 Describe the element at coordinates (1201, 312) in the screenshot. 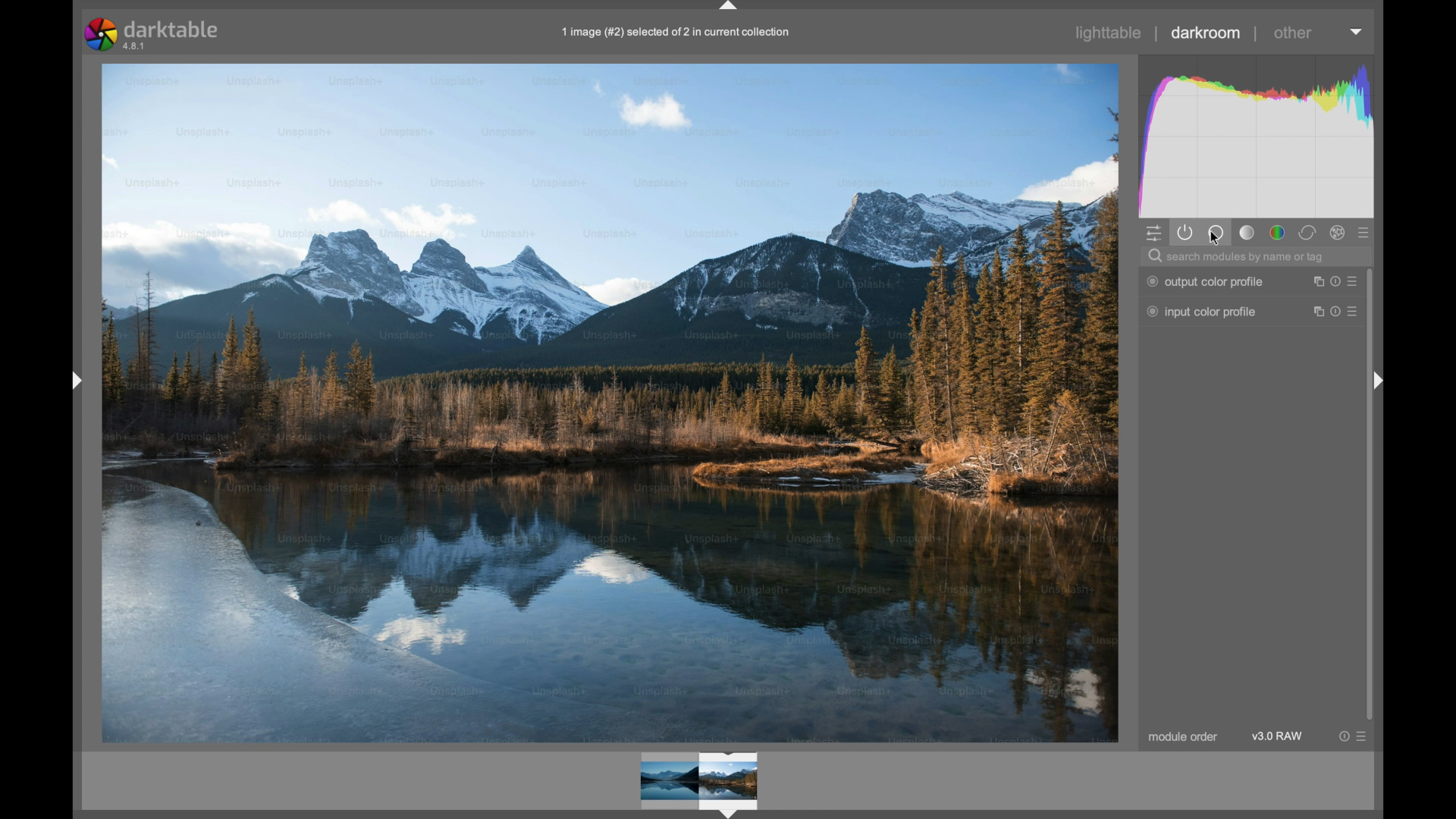

I see `input color profile` at that location.